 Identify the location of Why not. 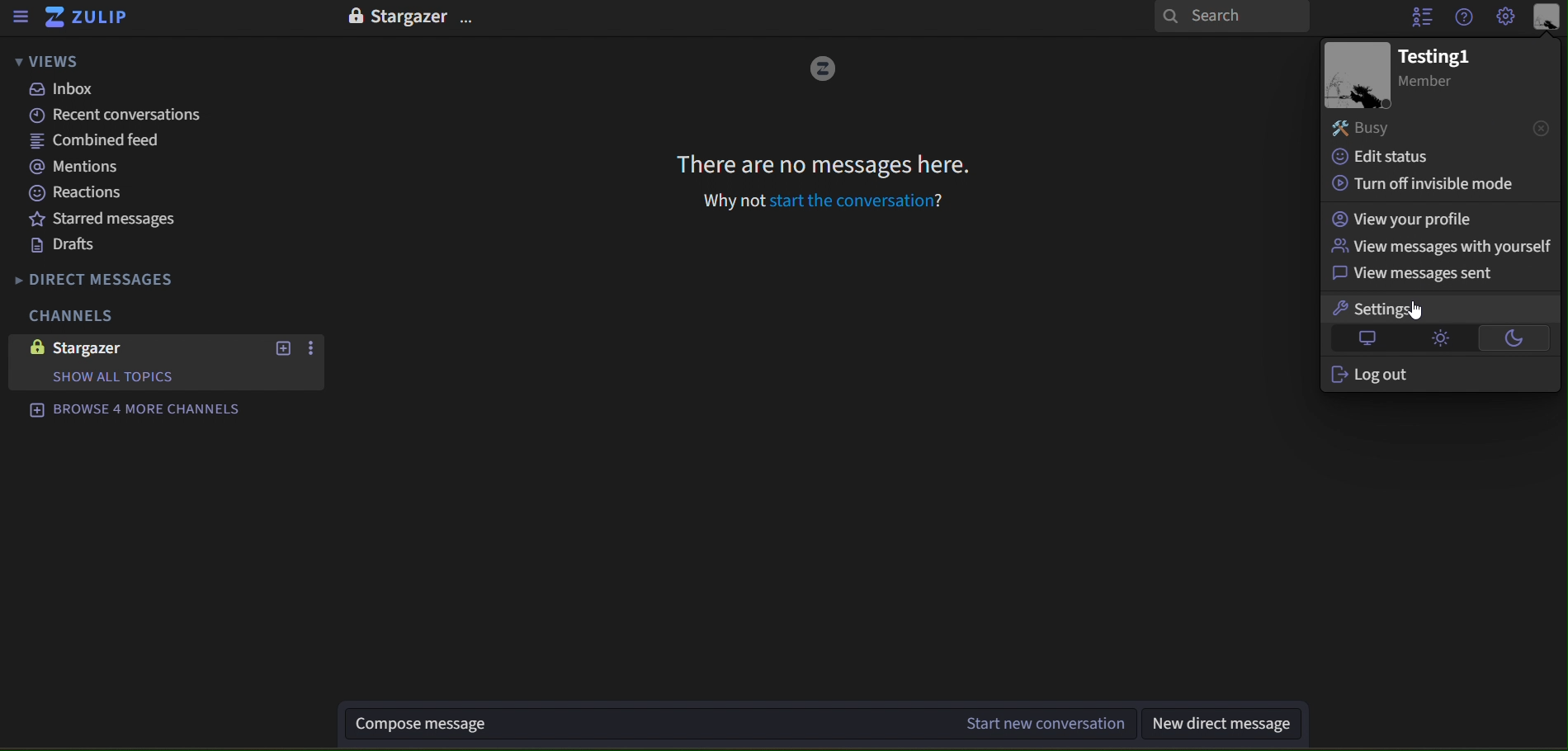
(732, 202).